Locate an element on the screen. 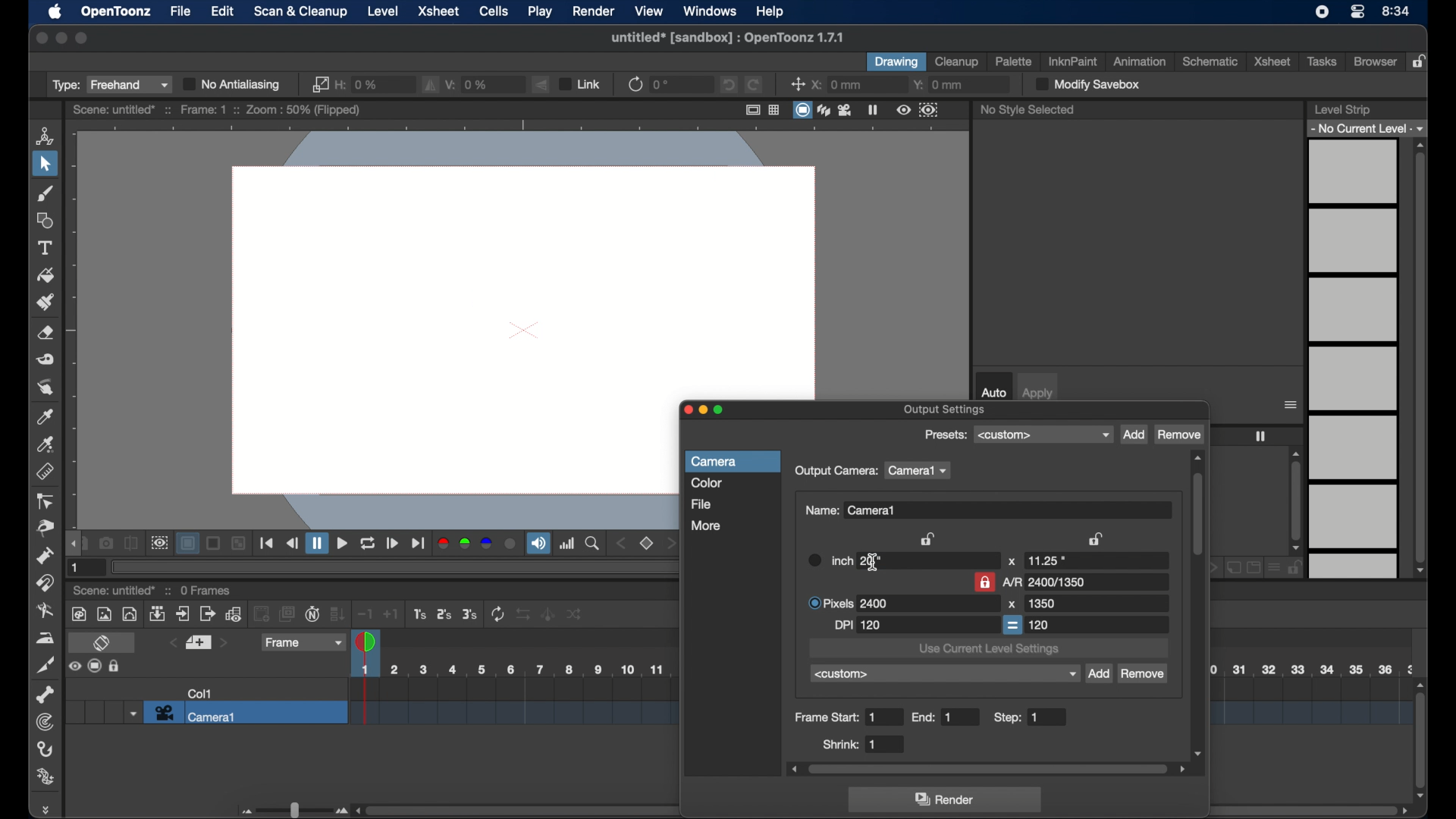 This screenshot has height=819, width=1456. set is located at coordinates (197, 643).